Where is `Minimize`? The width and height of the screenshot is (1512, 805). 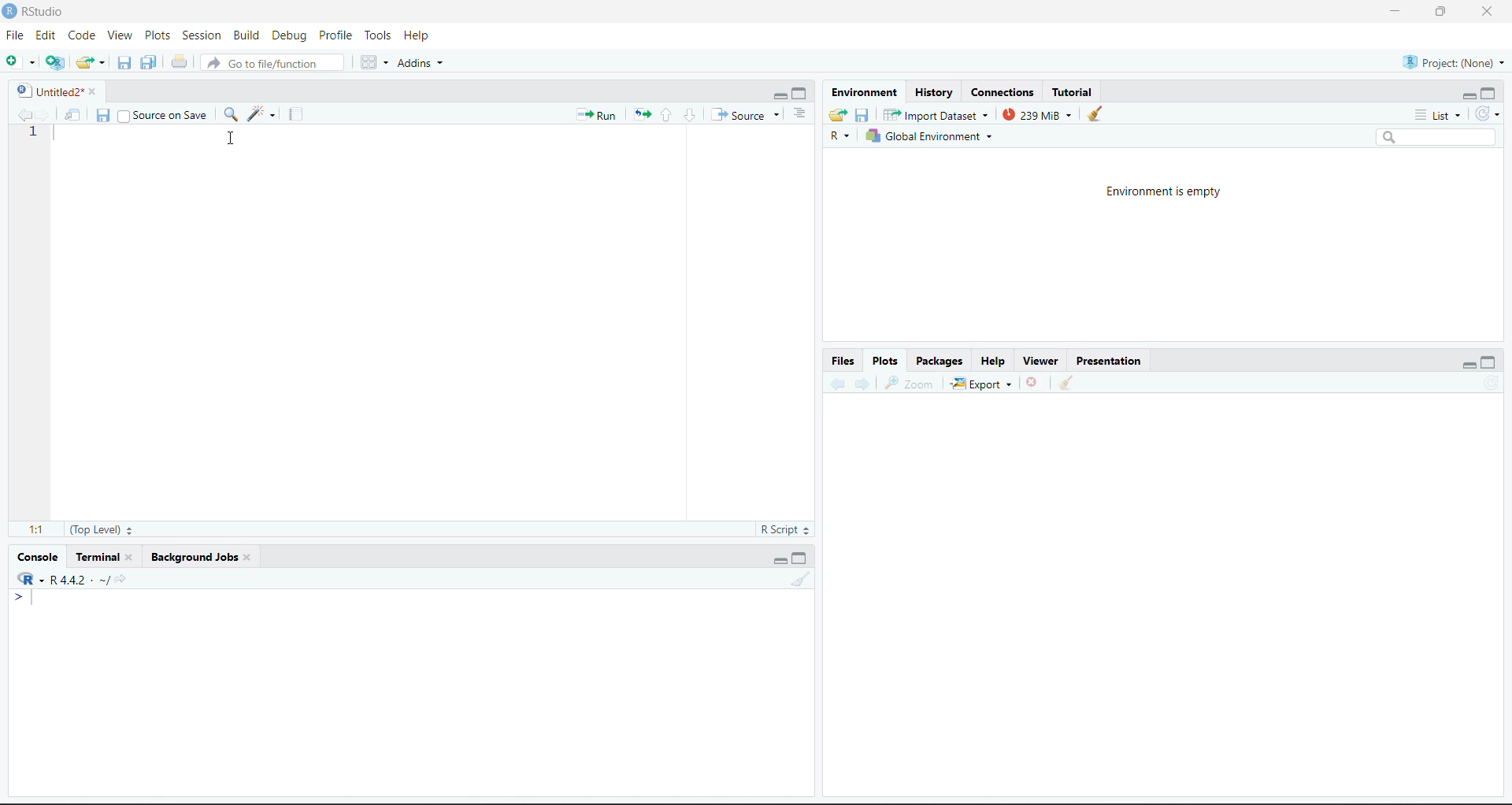
Minimize is located at coordinates (778, 558).